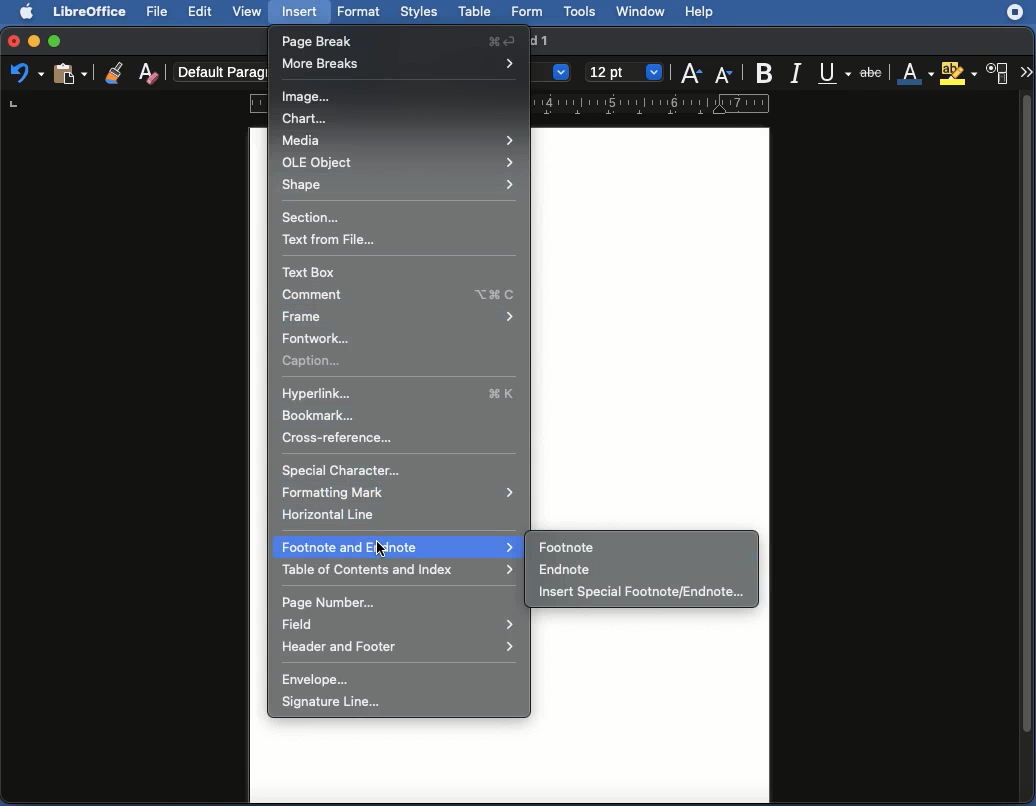 Image resolution: width=1036 pixels, height=806 pixels. What do you see at coordinates (398, 626) in the screenshot?
I see `Field` at bounding box center [398, 626].